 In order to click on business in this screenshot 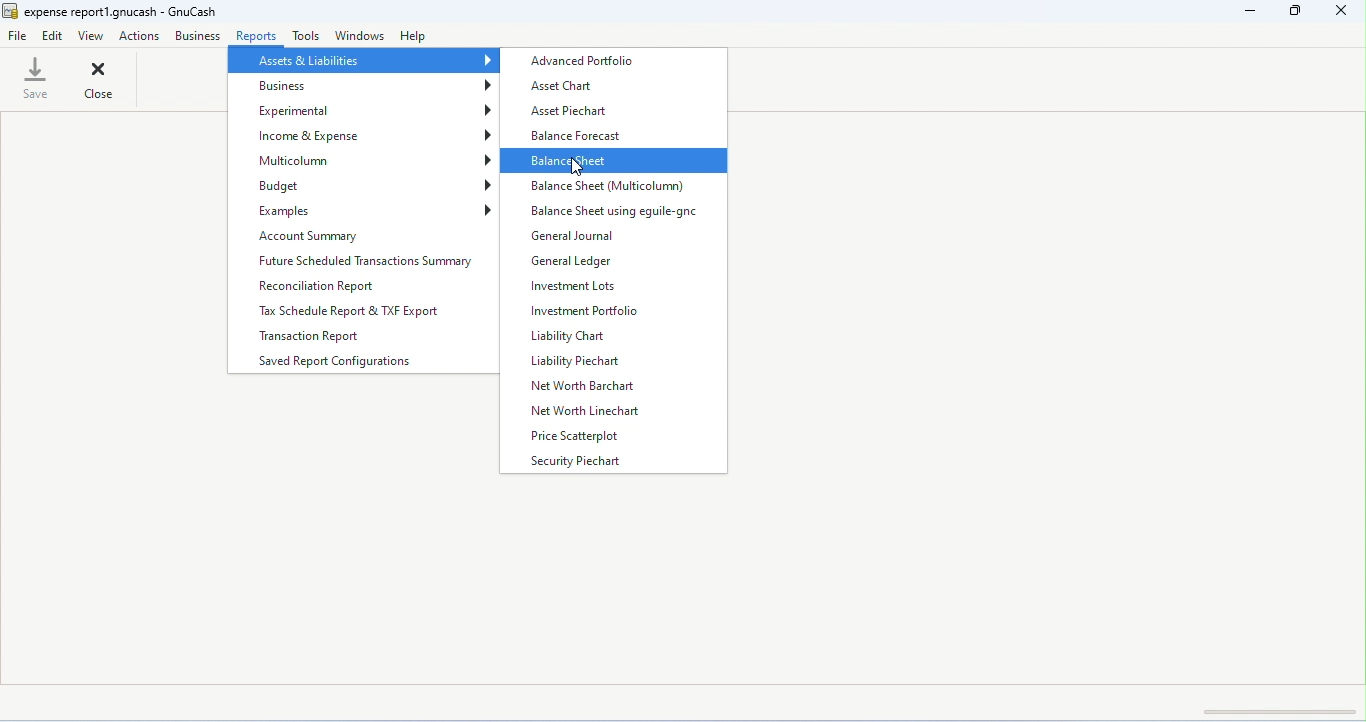, I will do `click(197, 35)`.